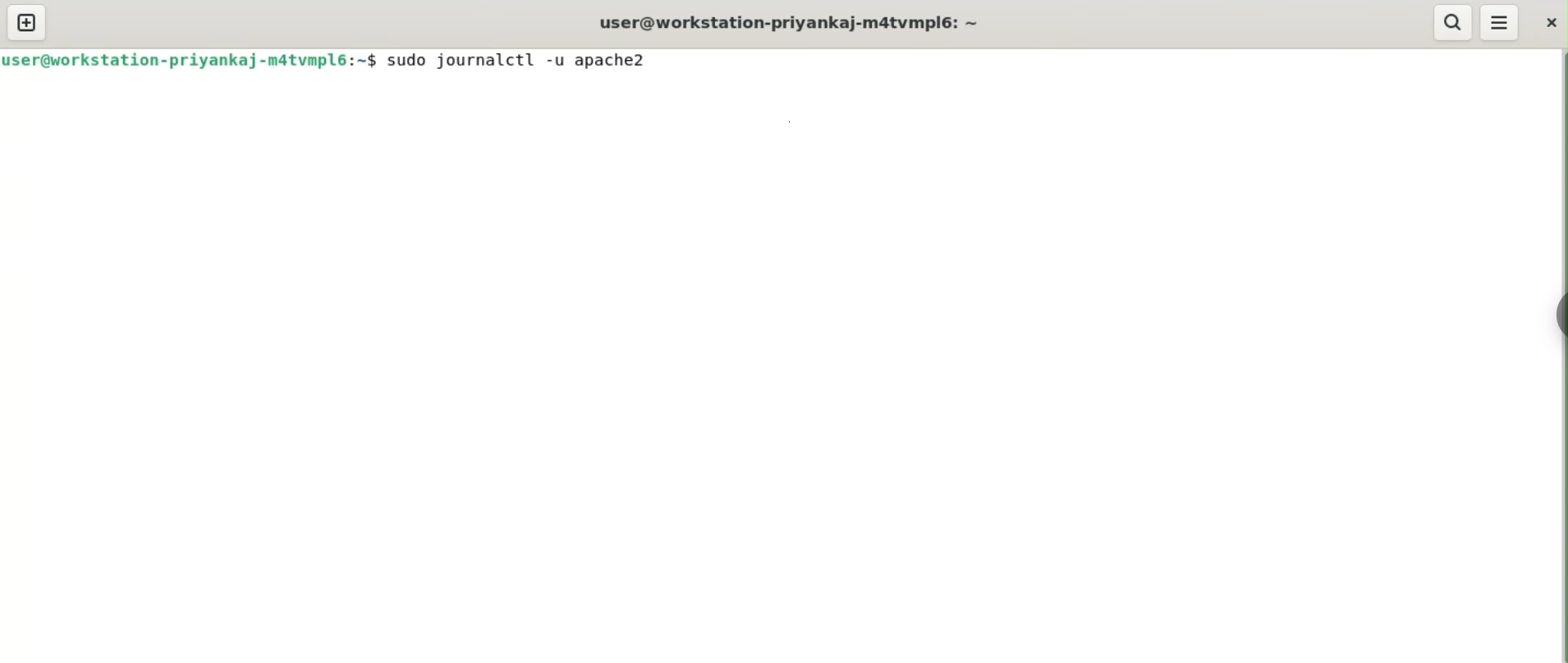  What do you see at coordinates (794, 19) in the screenshot?
I see `user@workstation-priyankaj-m4tvmpl6:~` at bounding box center [794, 19].